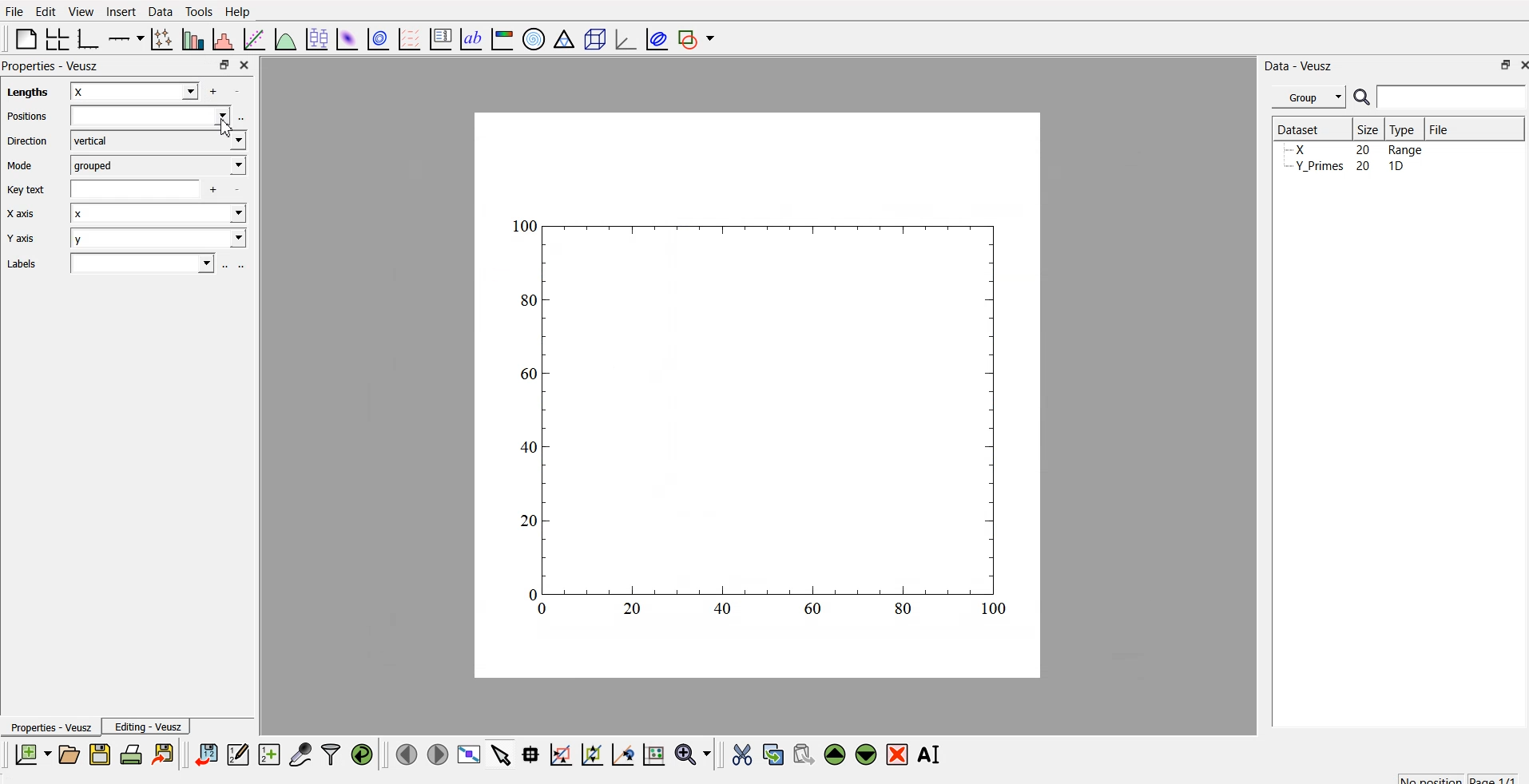 This screenshot has width=1529, height=784. What do you see at coordinates (404, 754) in the screenshot?
I see `move to previous page` at bounding box center [404, 754].